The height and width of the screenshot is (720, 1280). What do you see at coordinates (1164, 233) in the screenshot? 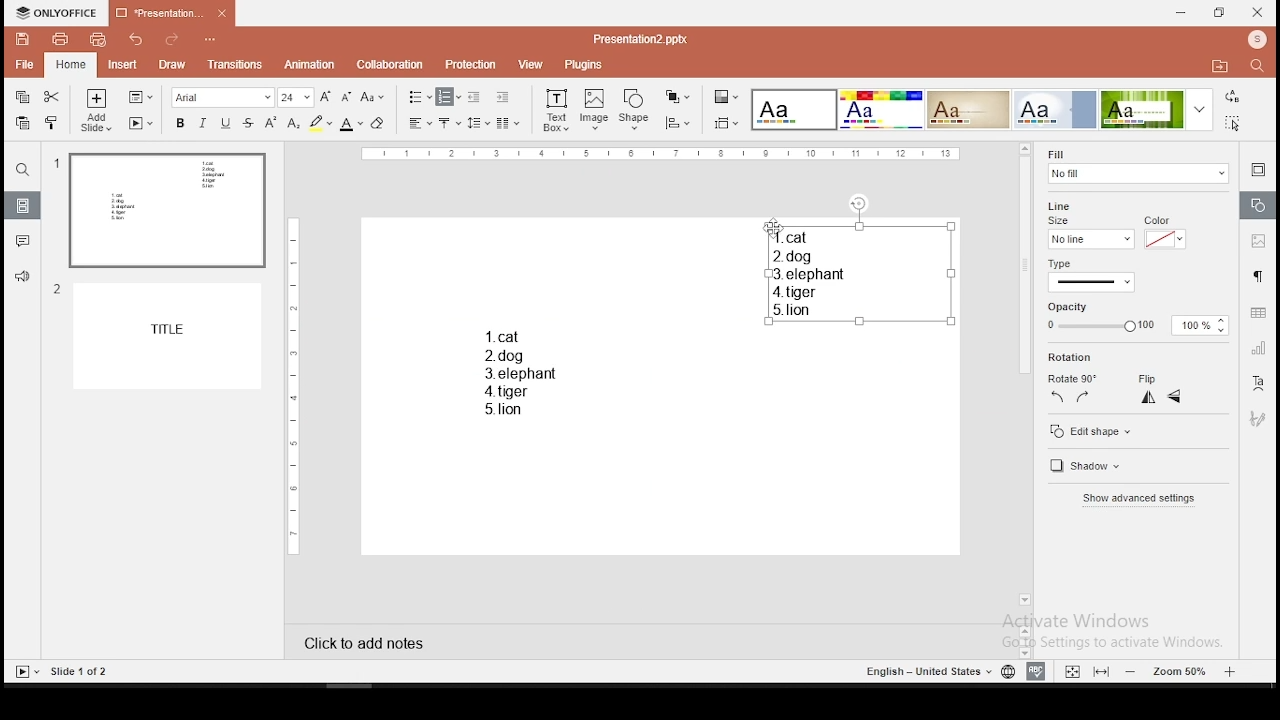
I see `line color` at bounding box center [1164, 233].